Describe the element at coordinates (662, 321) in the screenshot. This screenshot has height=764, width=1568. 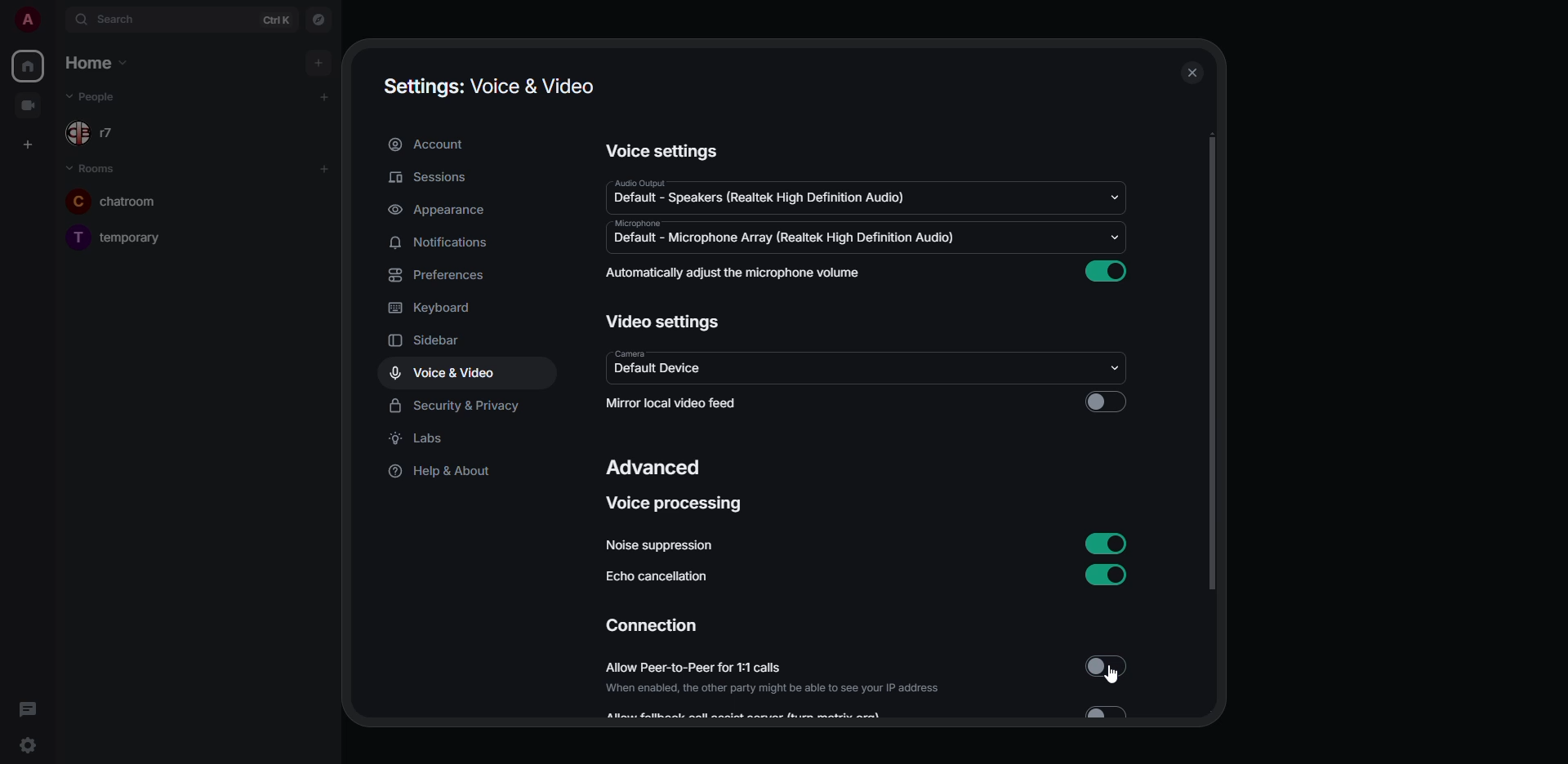
I see `video settings` at that location.